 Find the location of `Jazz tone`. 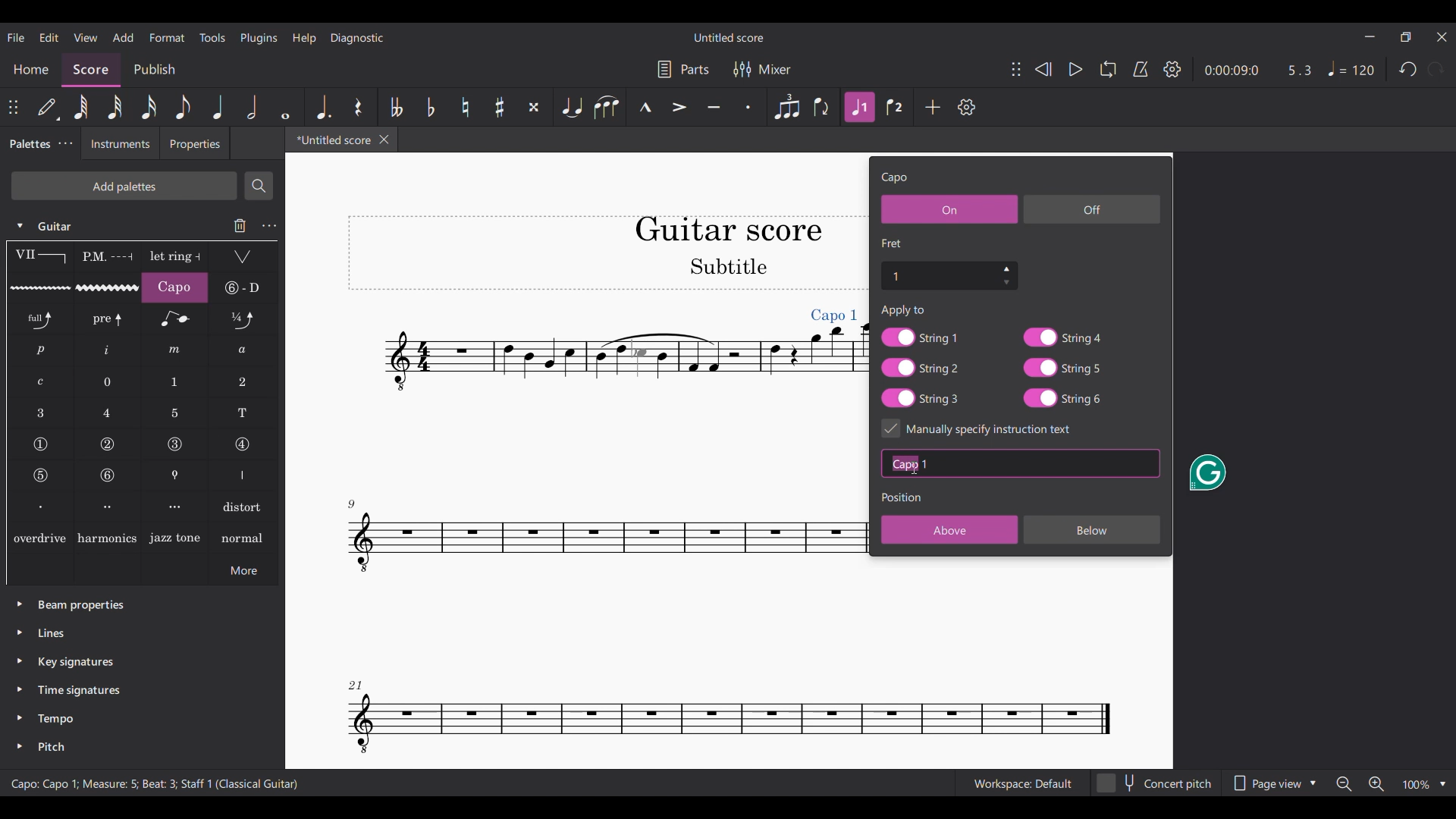

Jazz tone is located at coordinates (175, 537).